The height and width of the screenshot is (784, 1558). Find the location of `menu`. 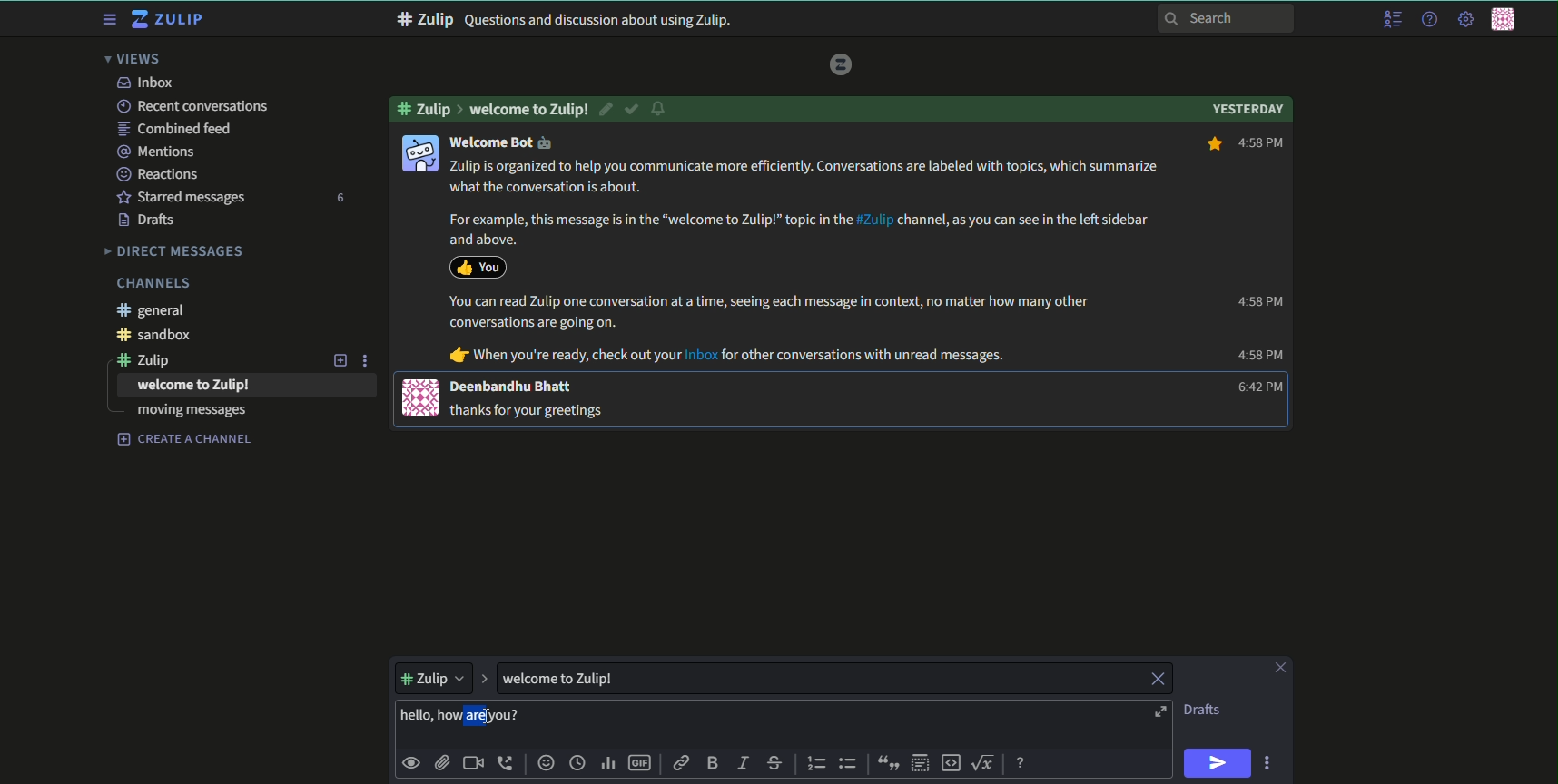

menu is located at coordinates (1391, 20).